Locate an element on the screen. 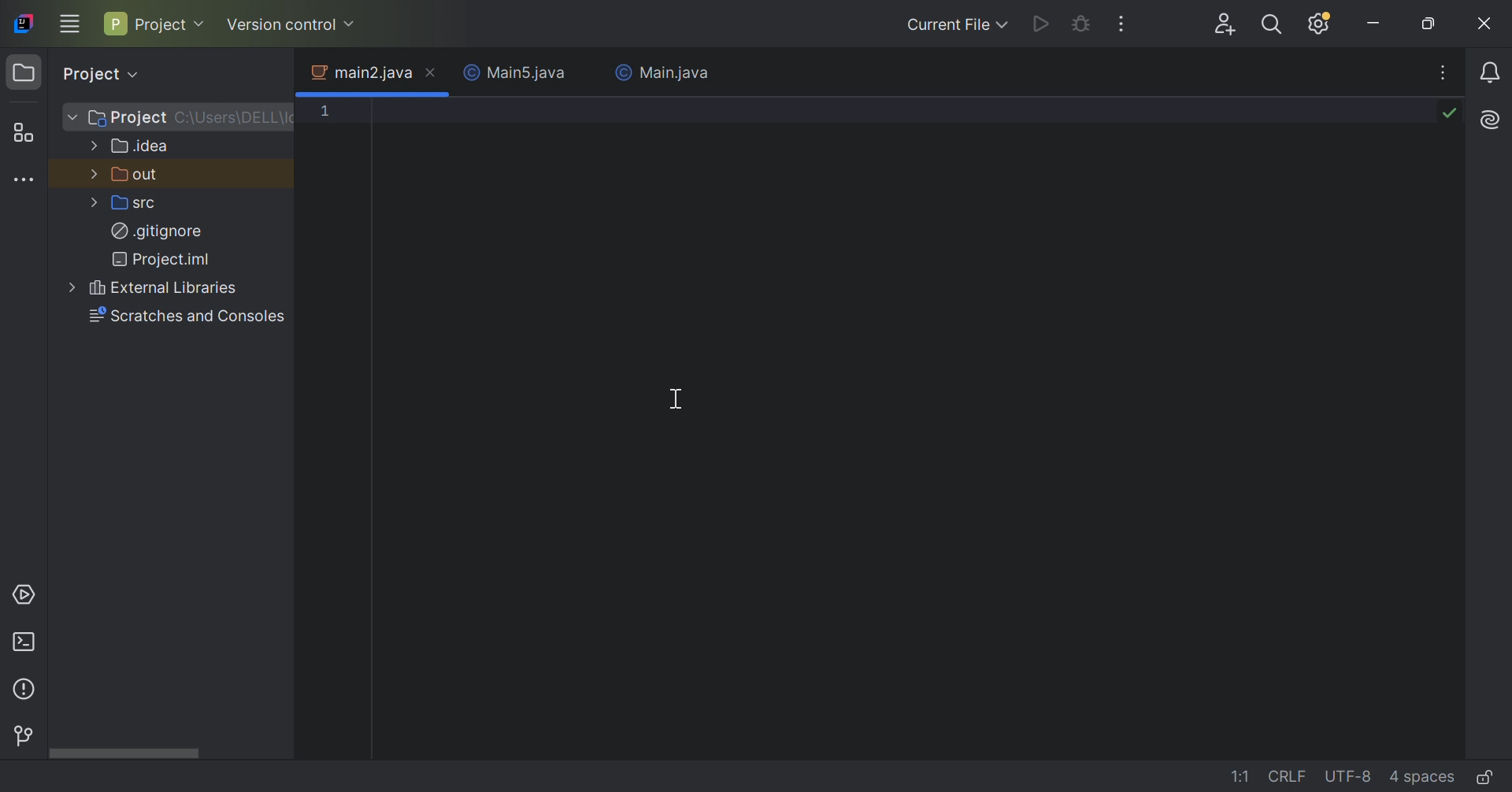  Project is located at coordinates (106, 73).